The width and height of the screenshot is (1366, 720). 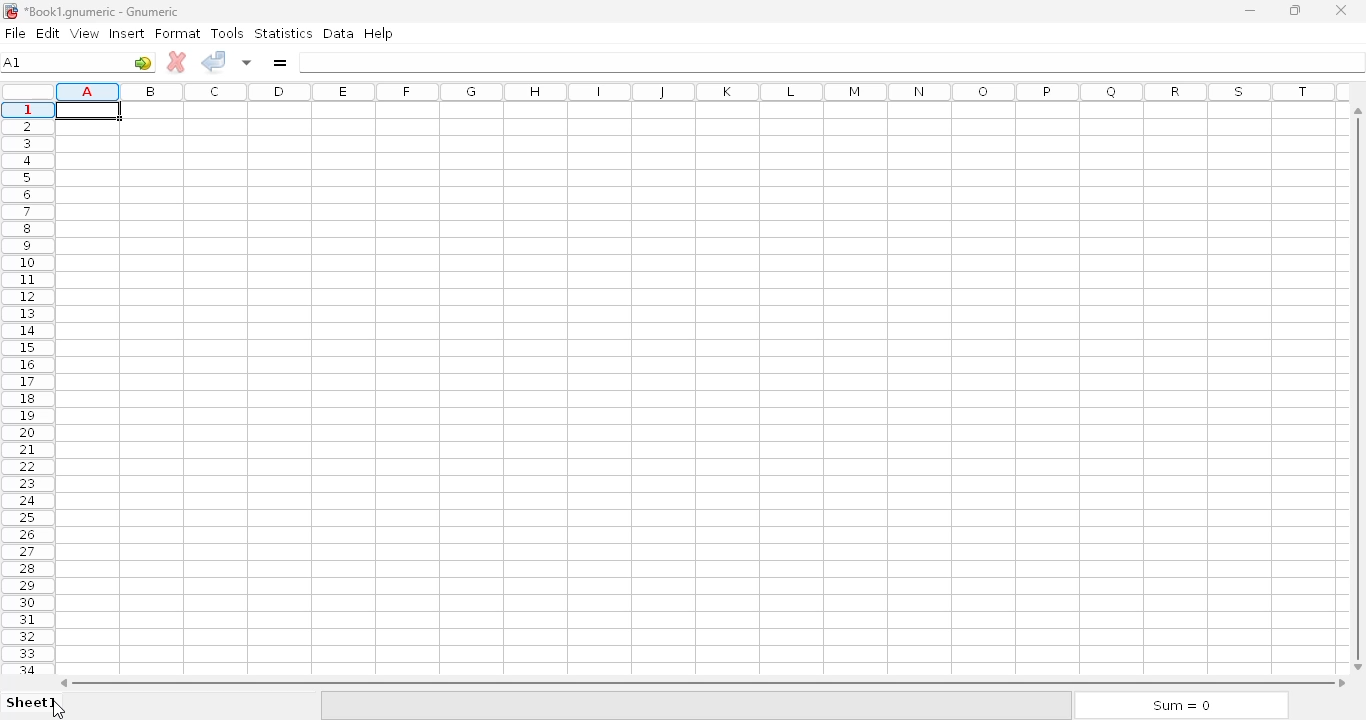 I want to click on logo, so click(x=9, y=12).